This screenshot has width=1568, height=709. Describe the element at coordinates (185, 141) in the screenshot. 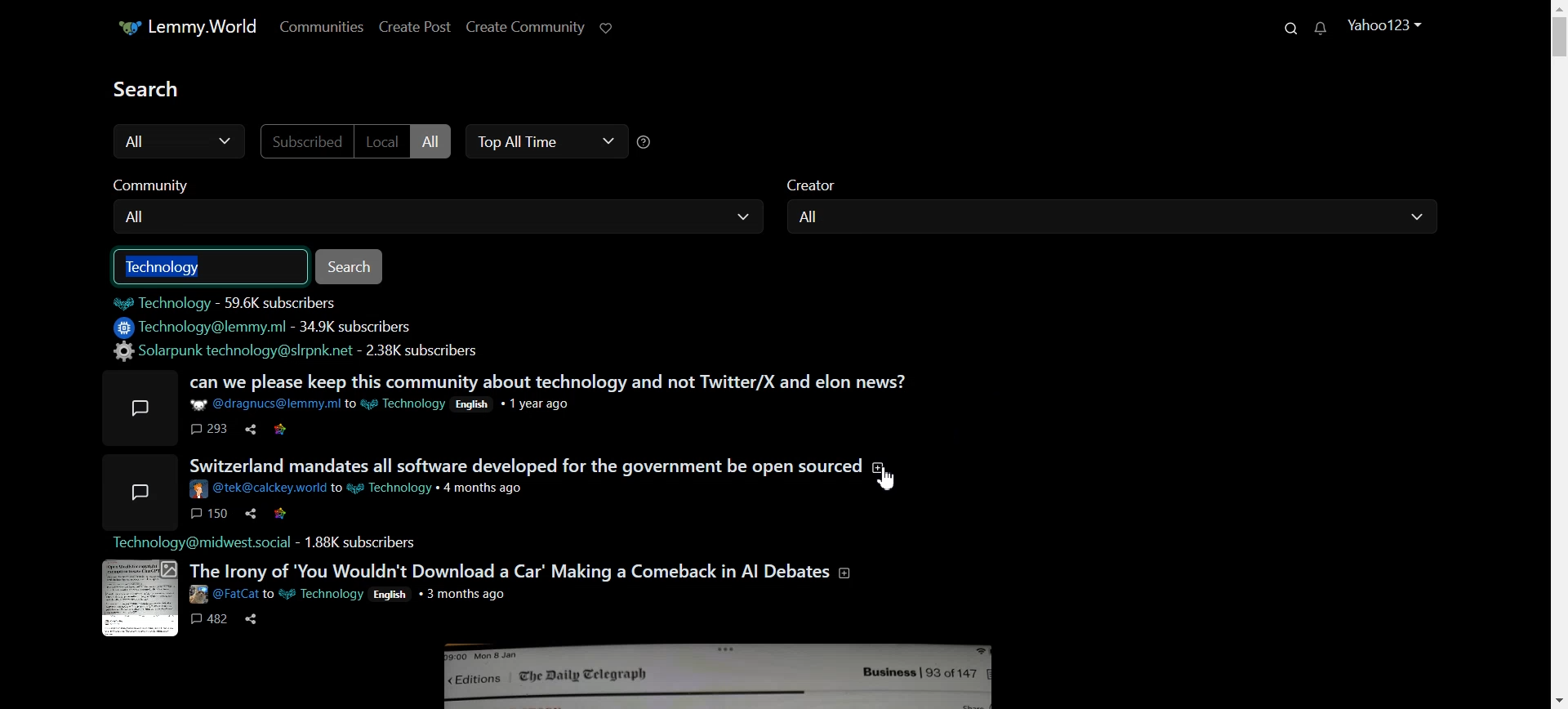

I see `All` at that location.